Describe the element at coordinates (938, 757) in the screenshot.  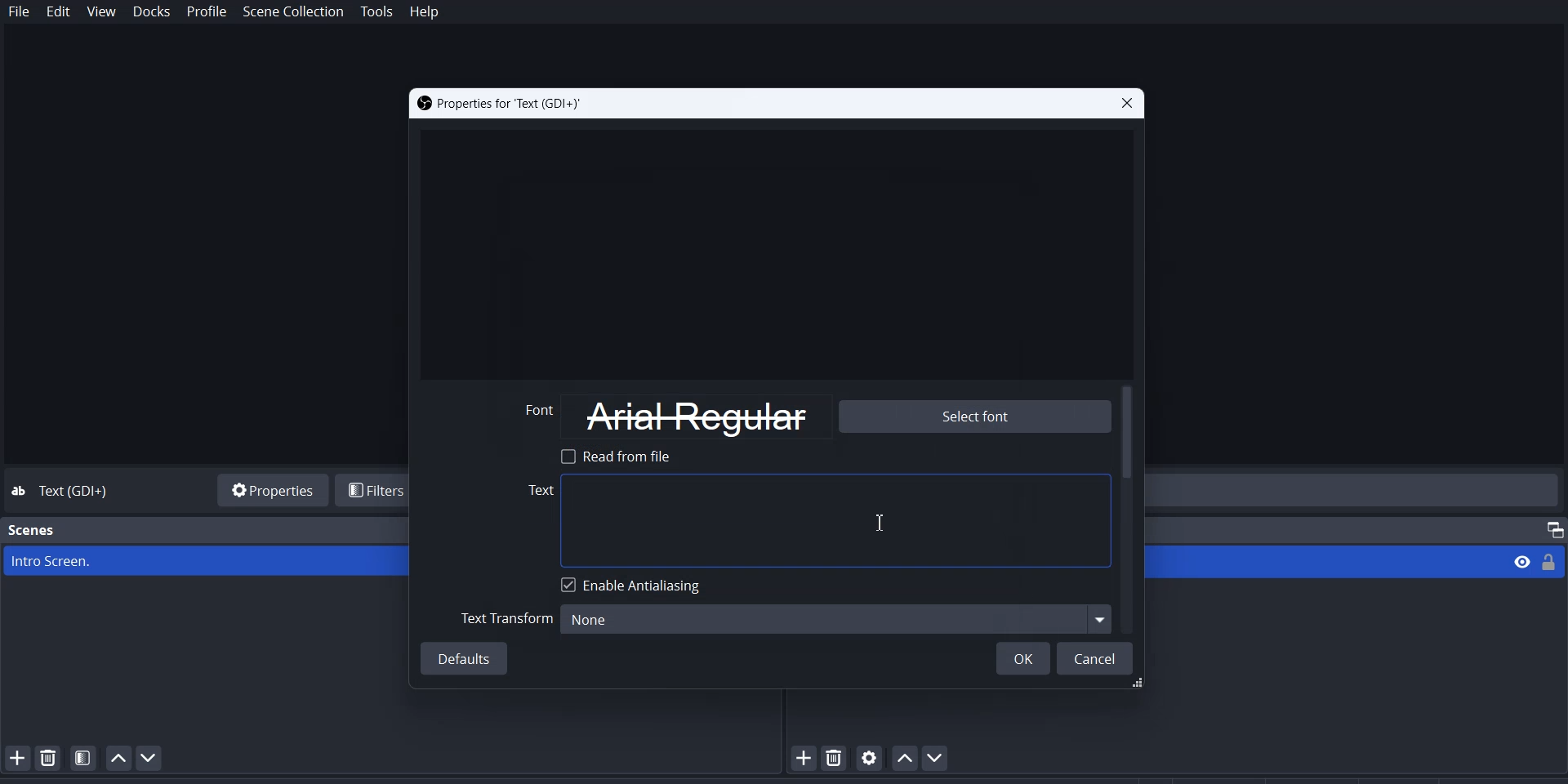
I see `Move Source Down` at that location.